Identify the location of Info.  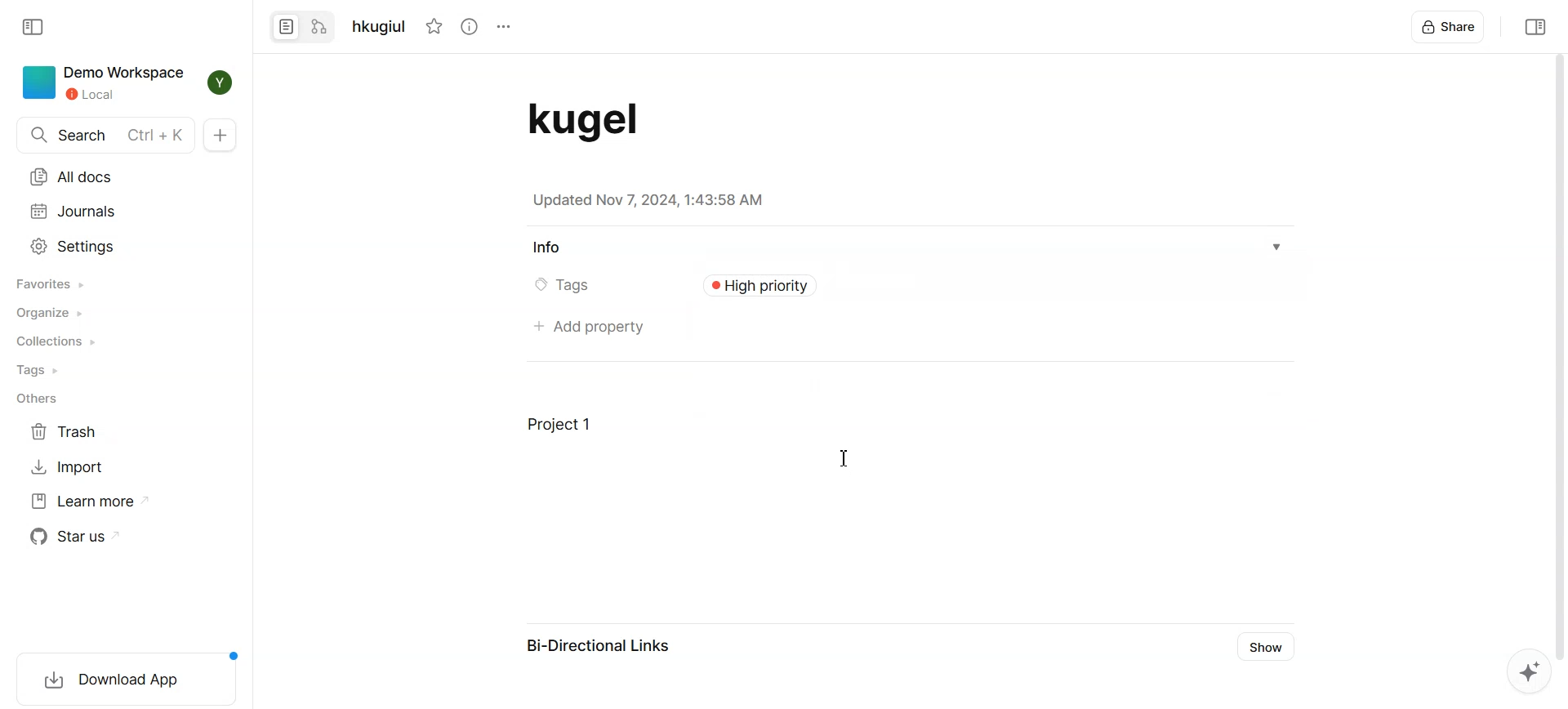
(543, 247).